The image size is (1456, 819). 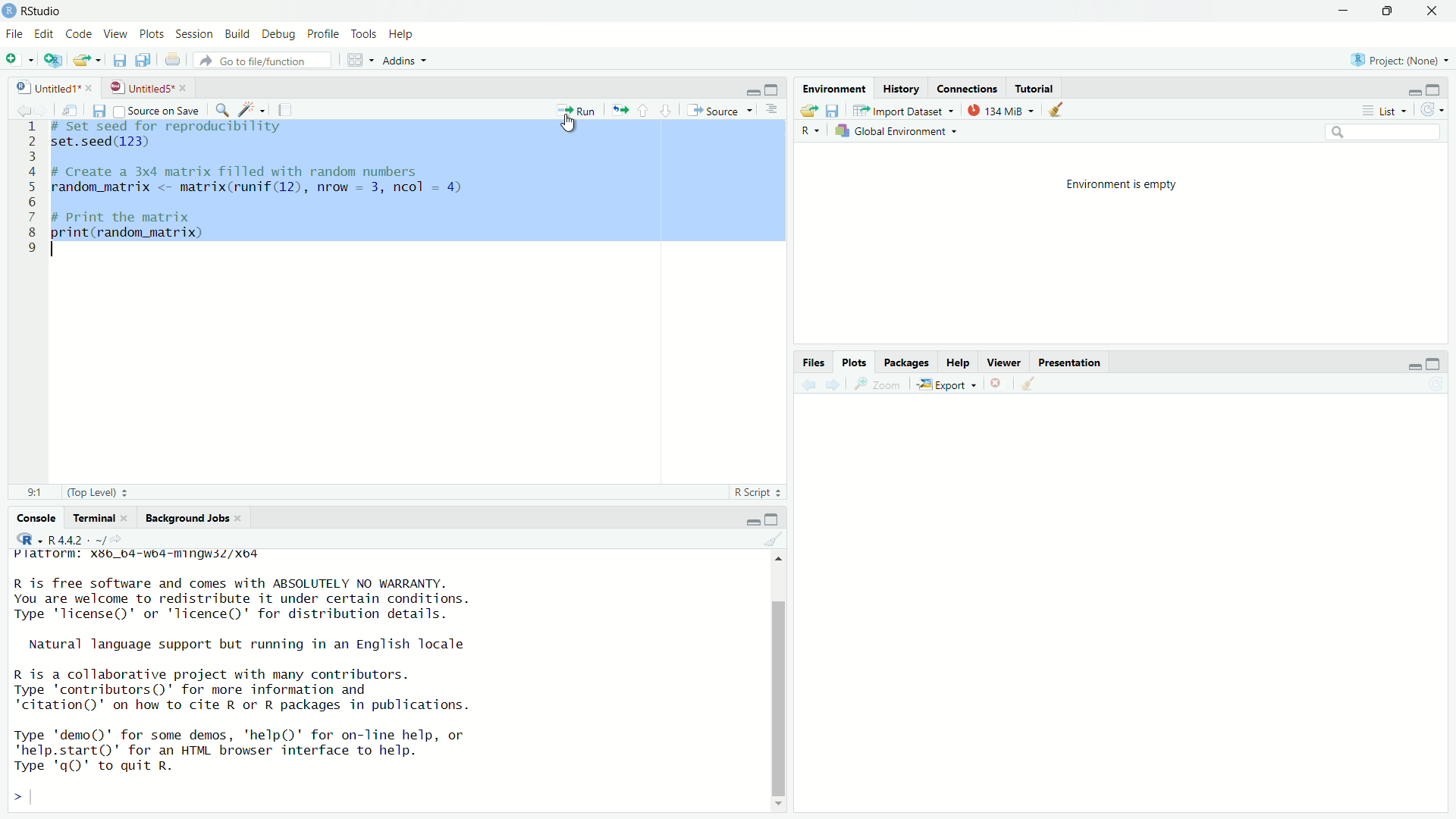 What do you see at coordinates (772, 88) in the screenshot?
I see `maximise` at bounding box center [772, 88].